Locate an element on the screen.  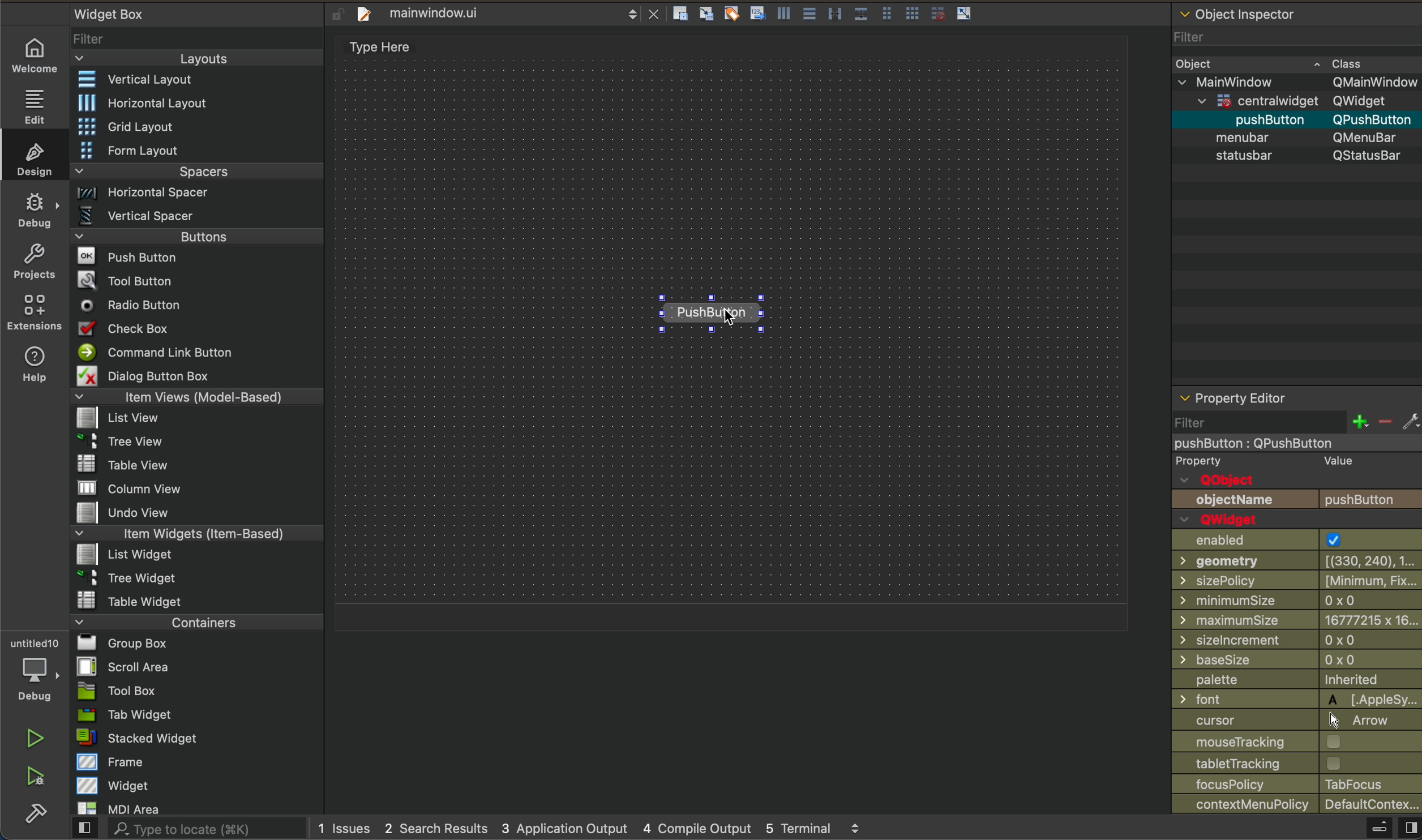
form layout is located at coordinates (196, 150).